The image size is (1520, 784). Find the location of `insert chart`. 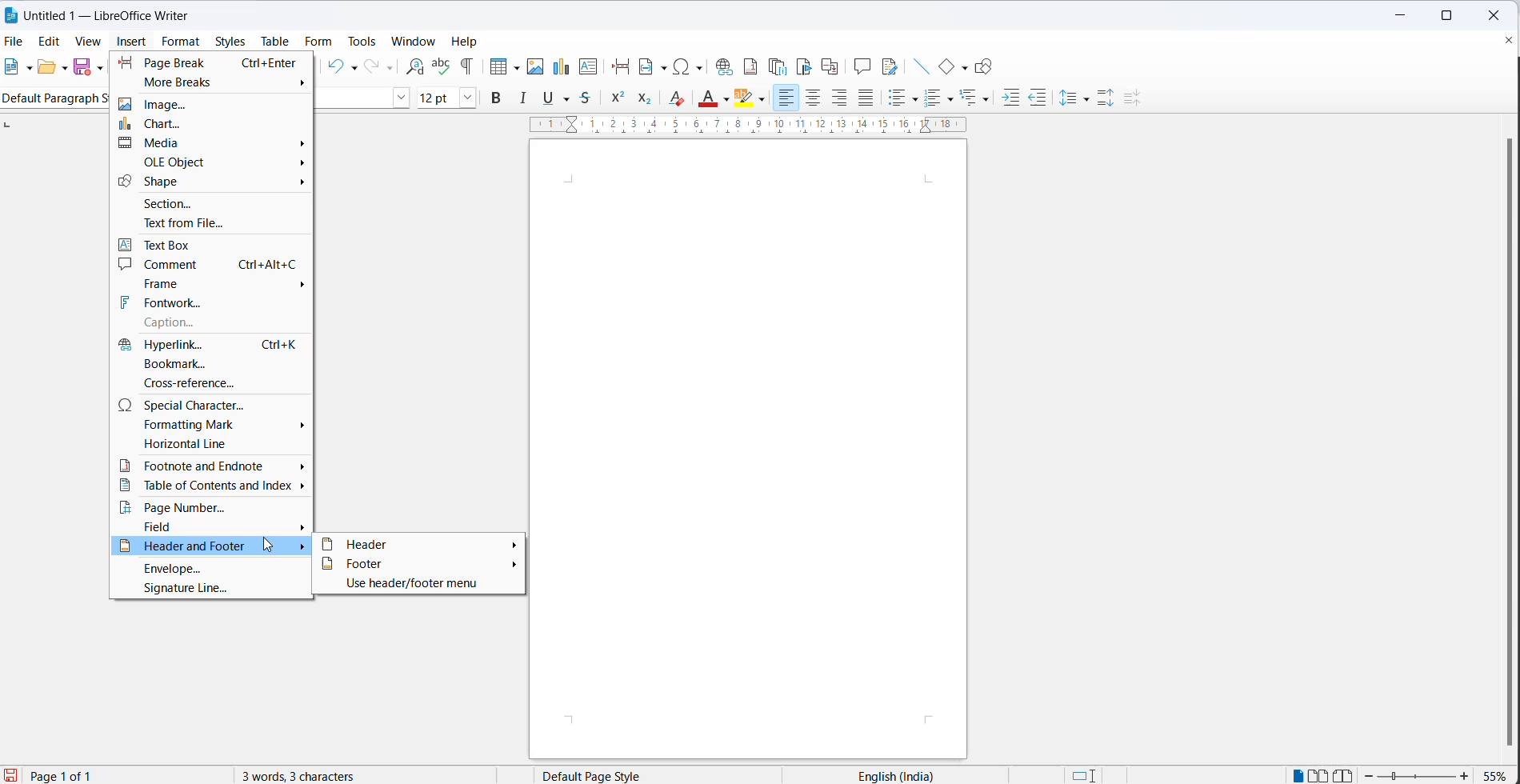

insert chart is located at coordinates (563, 67).